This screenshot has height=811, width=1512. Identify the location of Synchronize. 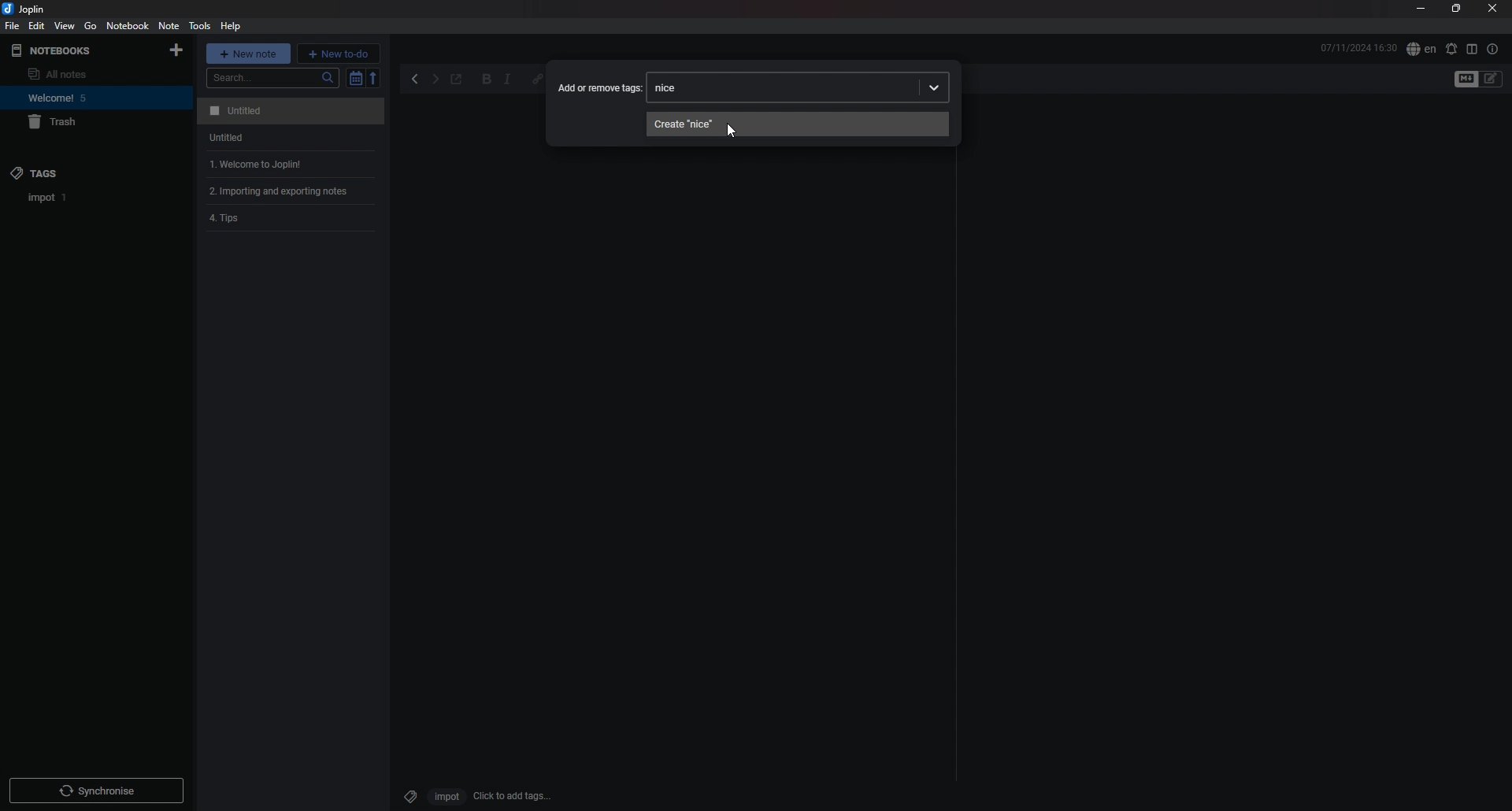
(99, 793).